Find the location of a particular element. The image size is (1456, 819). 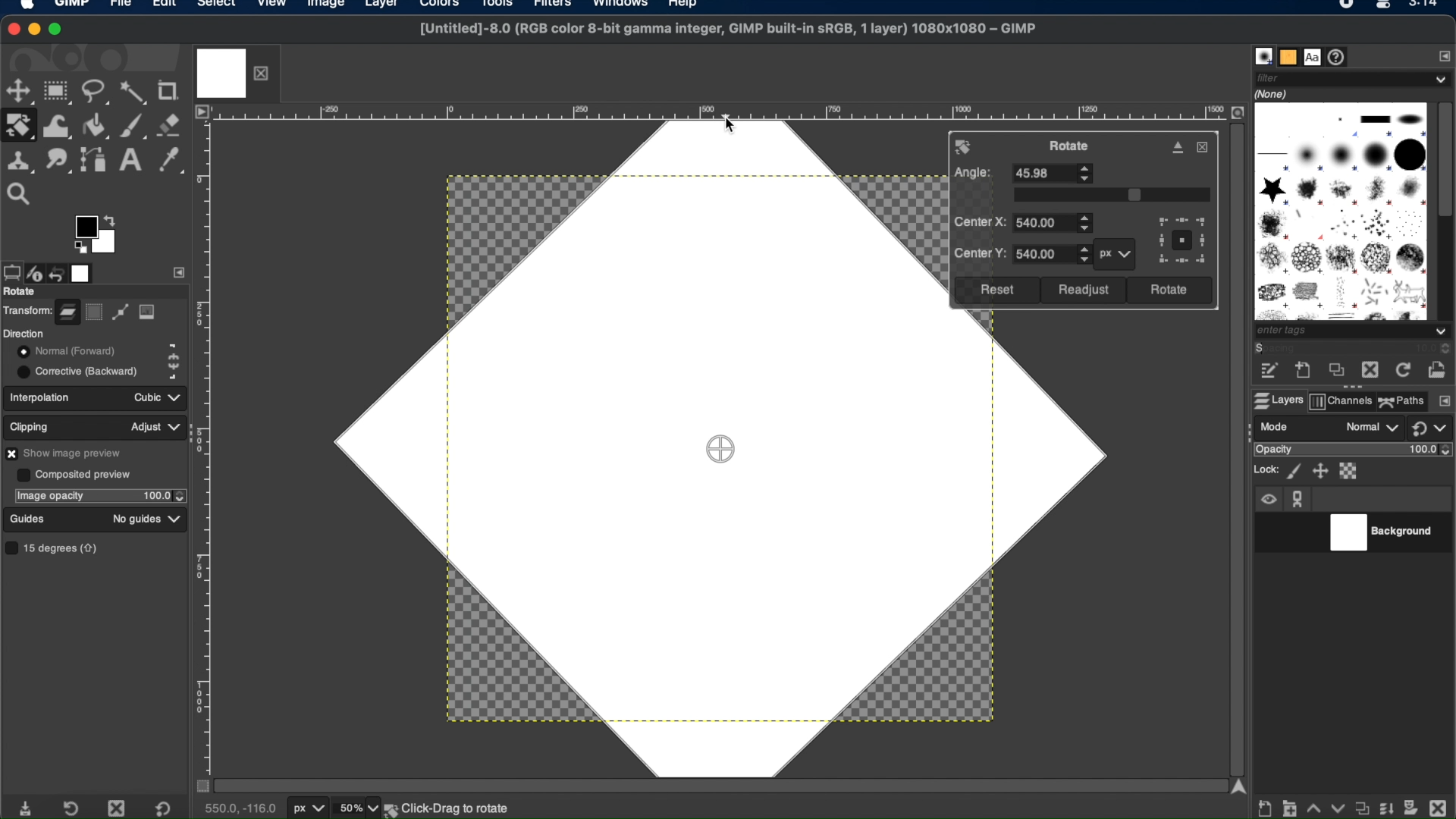

mode is located at coordinates (1276, 426).